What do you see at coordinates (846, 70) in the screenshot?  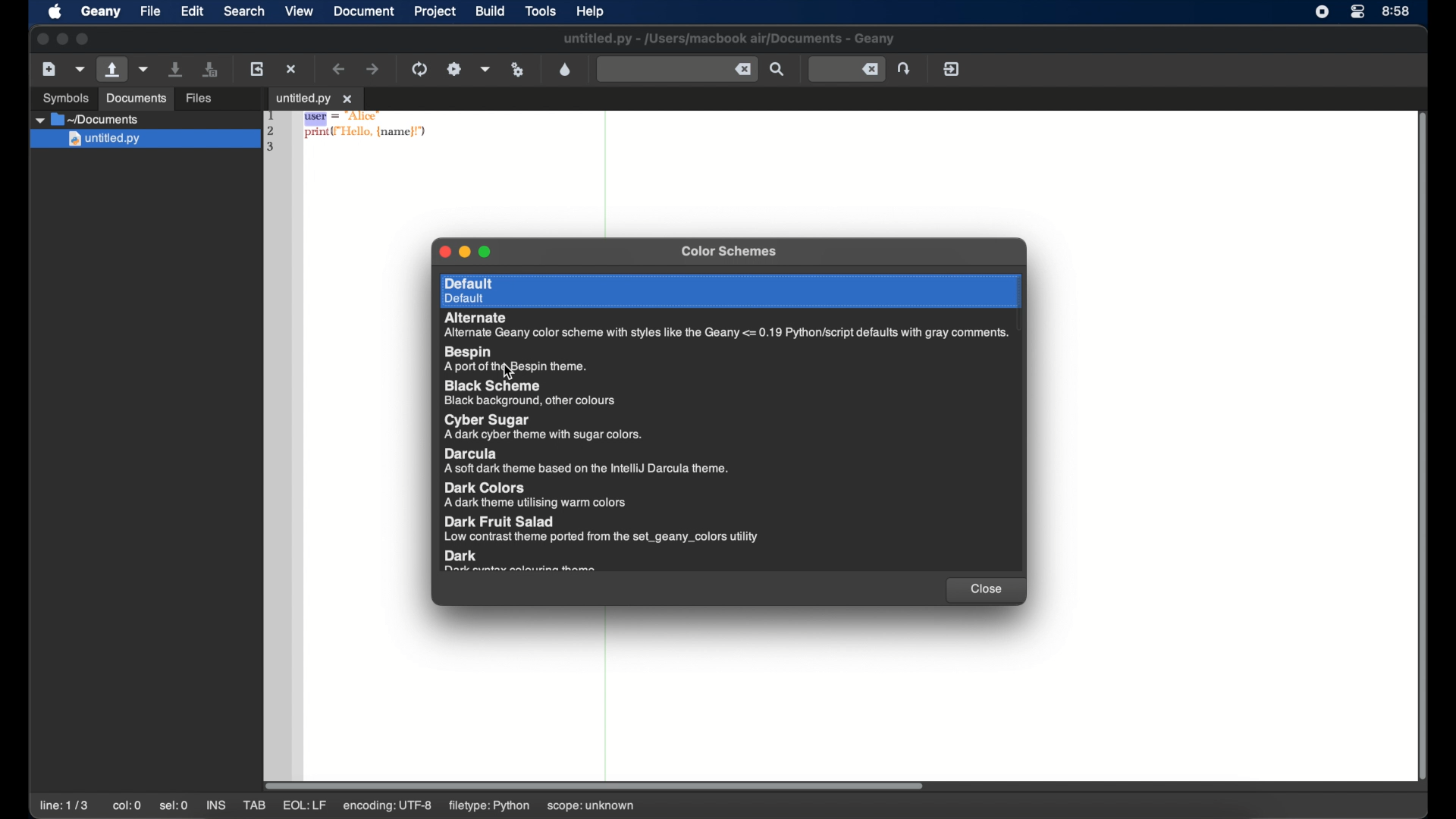 I see `jump  to the entered line number` at bounding box center [846, 70].